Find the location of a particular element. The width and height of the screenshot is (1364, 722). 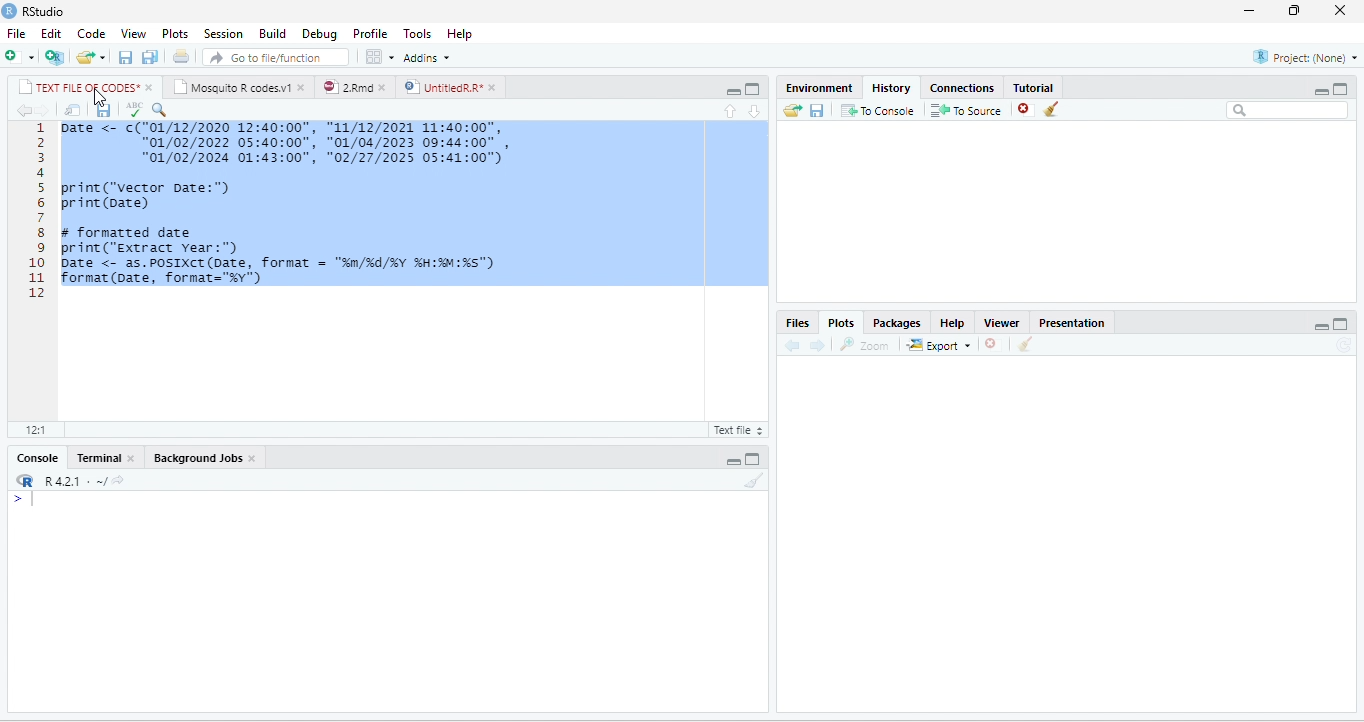

cursor is located at coordinates (100, 97).